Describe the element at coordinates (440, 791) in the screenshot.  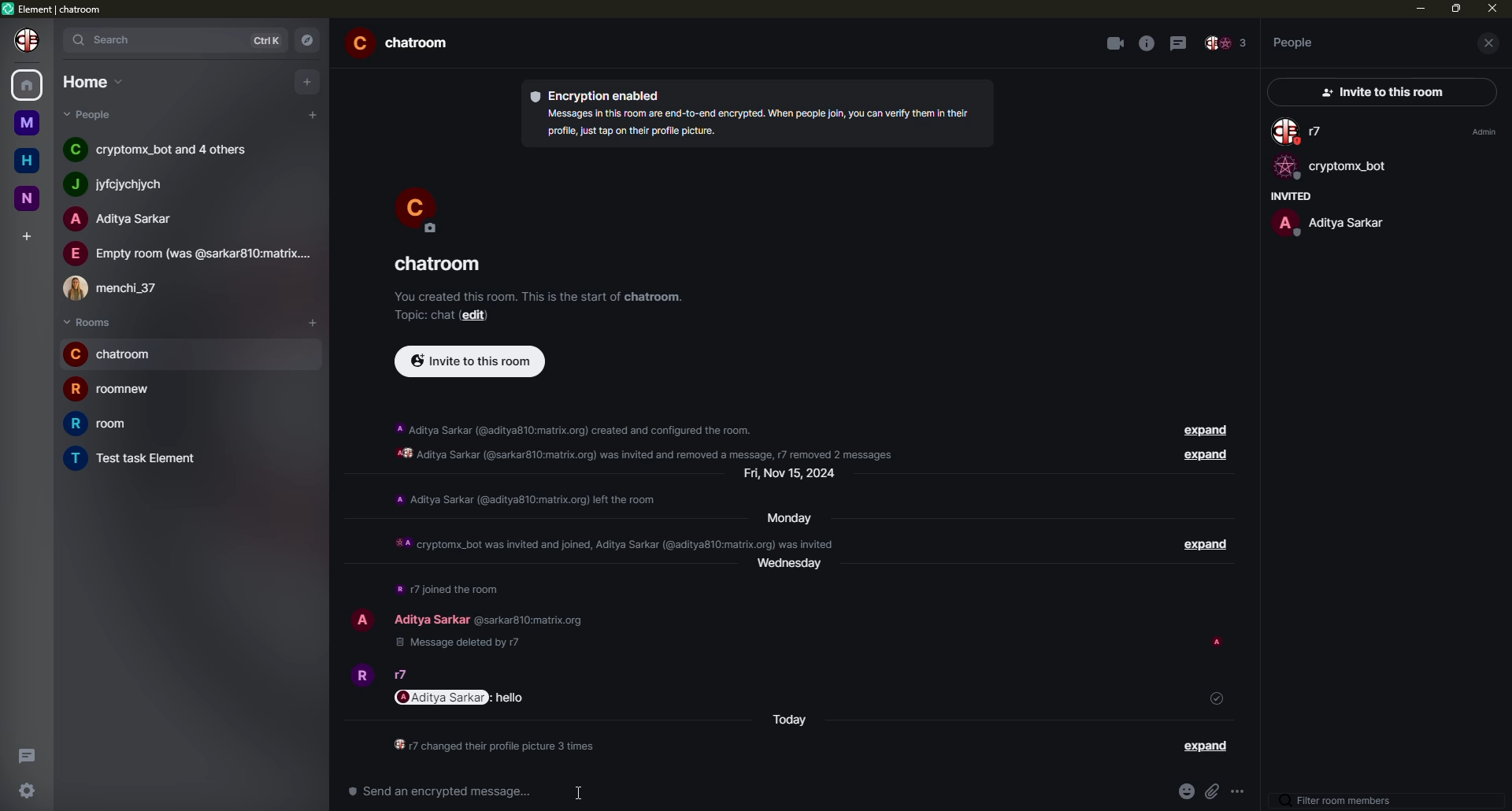
I see ` Send an encrypted message...` at that location.